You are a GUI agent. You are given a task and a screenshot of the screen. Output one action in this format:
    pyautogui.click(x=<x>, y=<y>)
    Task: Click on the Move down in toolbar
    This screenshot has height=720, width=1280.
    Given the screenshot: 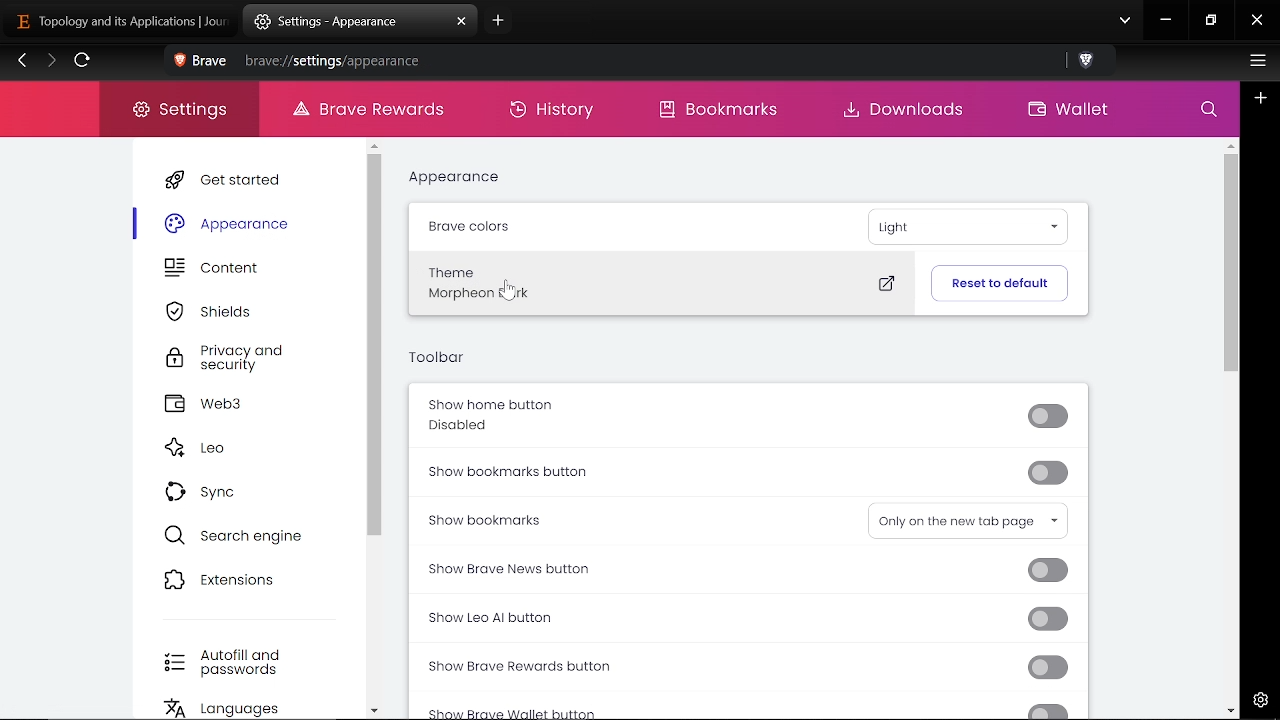 What is the action you would take?
    pyautogui.click(x=1230, y=710)
    